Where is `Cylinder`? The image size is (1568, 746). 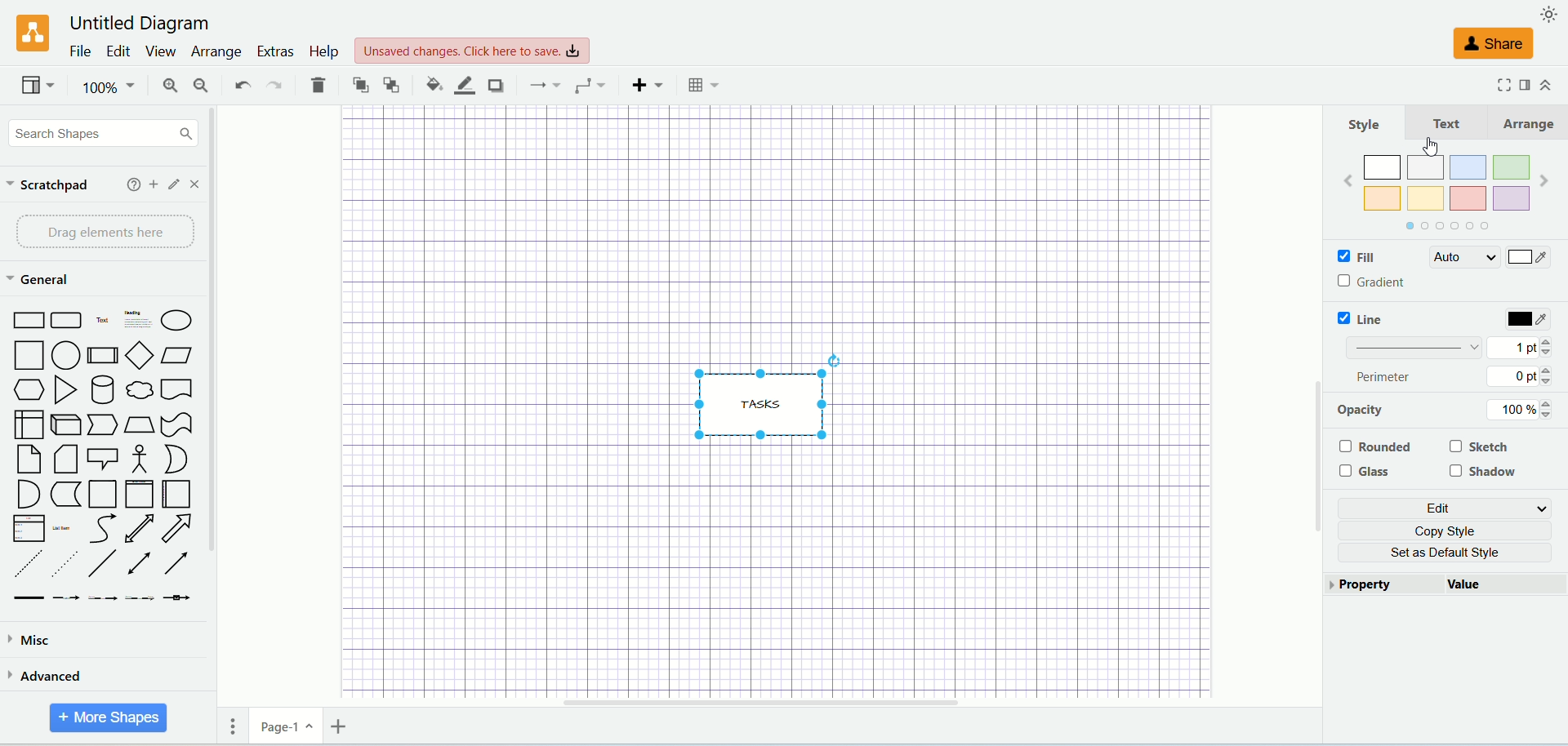 Cylinder is located at coordinates (101, 389).